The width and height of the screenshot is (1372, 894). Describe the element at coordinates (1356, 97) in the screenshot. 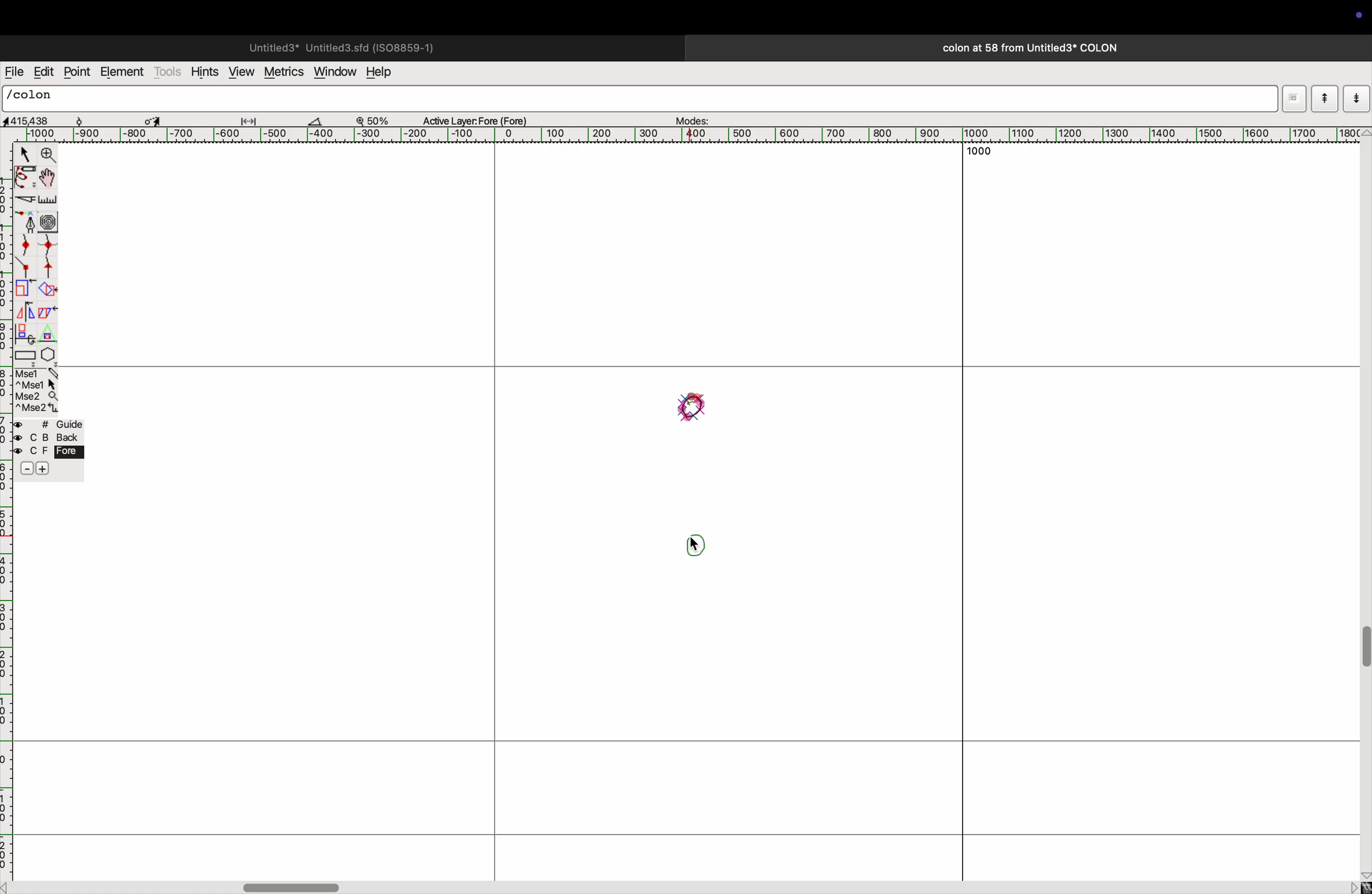

I see `mode down` at that location.